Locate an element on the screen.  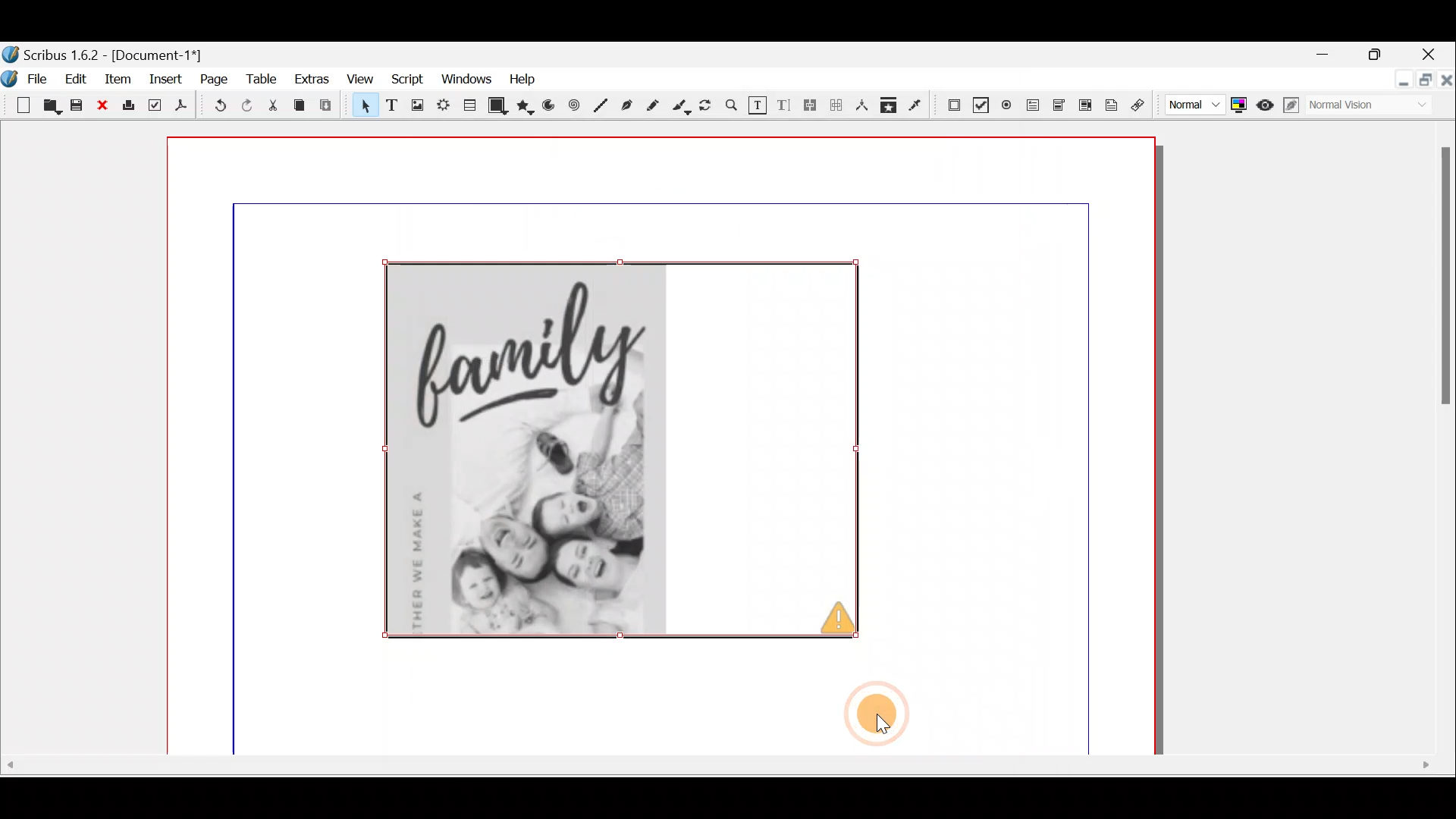
Document name is located at coordinates (110, 50).